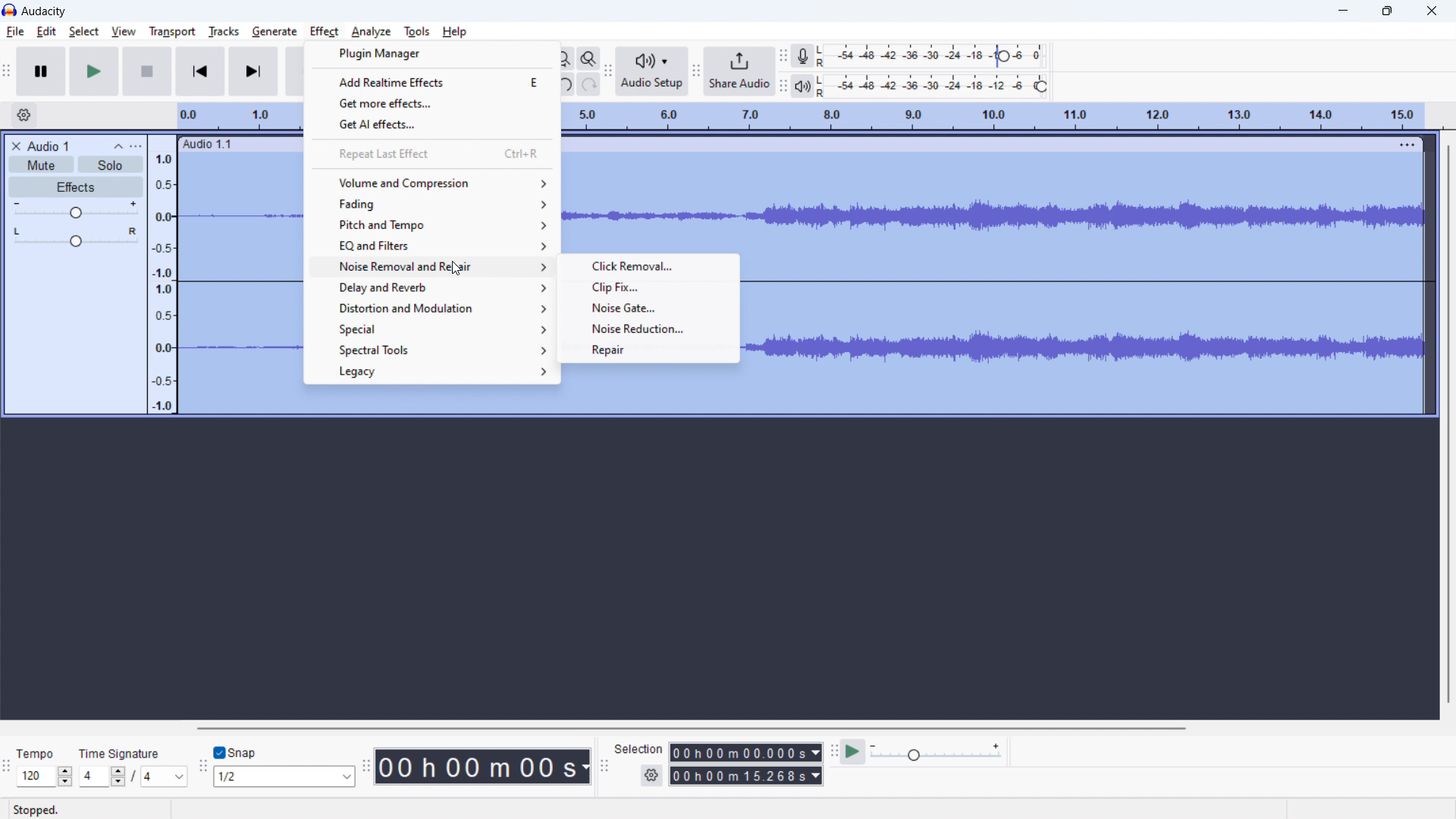 The height and width of the screenshot is (819, 1456). I want to click on record meter, so click(935, 55).